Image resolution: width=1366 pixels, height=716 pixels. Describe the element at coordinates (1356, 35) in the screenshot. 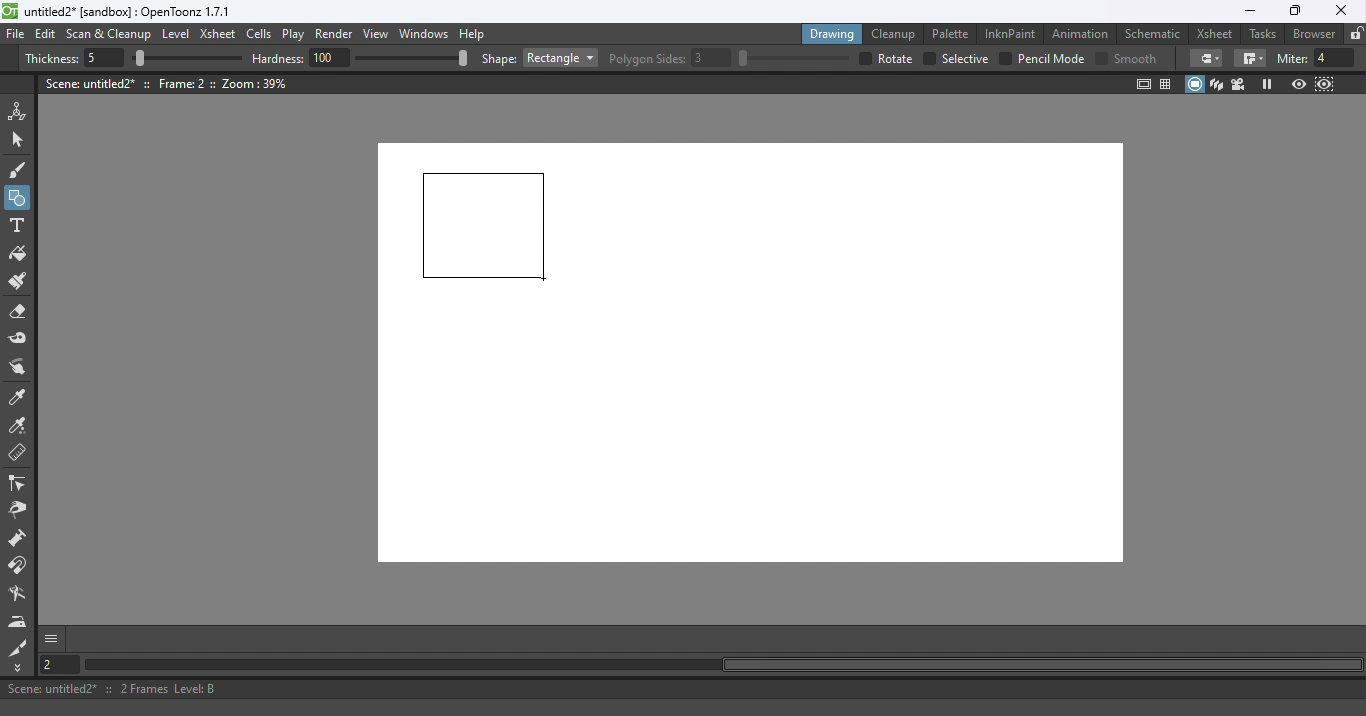

I see `Lock rooms tab` at that location.